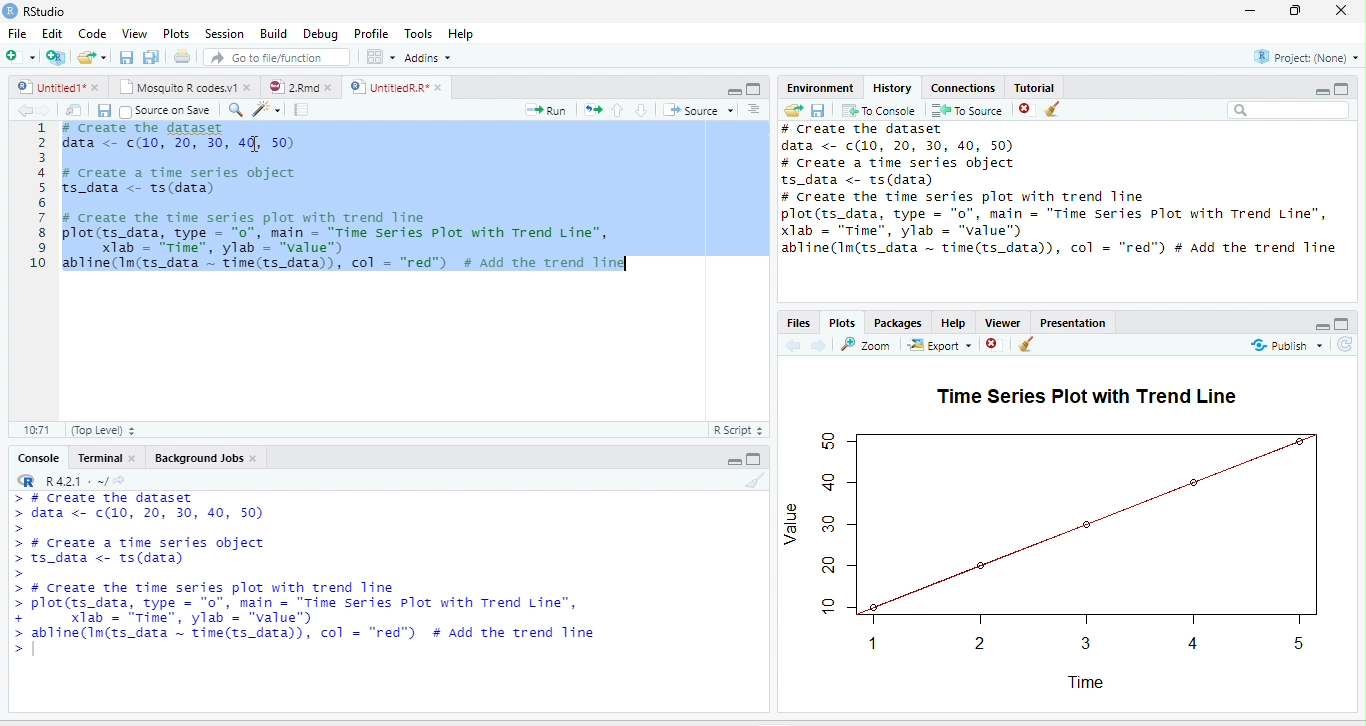 The height and width of the screenshot is (726, 1366). Describe the element at coordinates (1003, 322) in the screenshot. I see `Viewer` at that location.